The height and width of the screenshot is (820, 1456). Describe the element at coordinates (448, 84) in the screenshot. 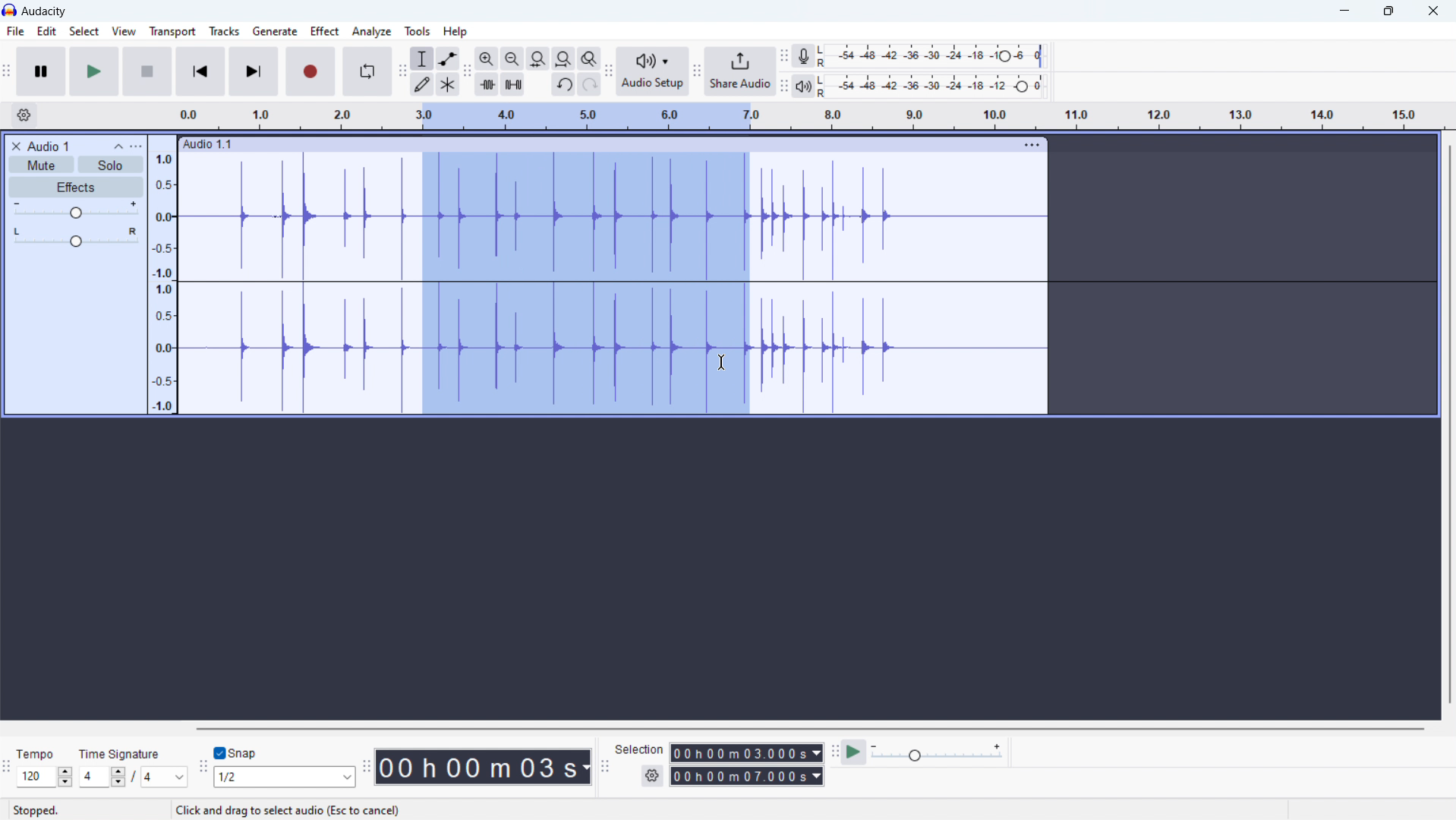

I see `multi tool` at that location.